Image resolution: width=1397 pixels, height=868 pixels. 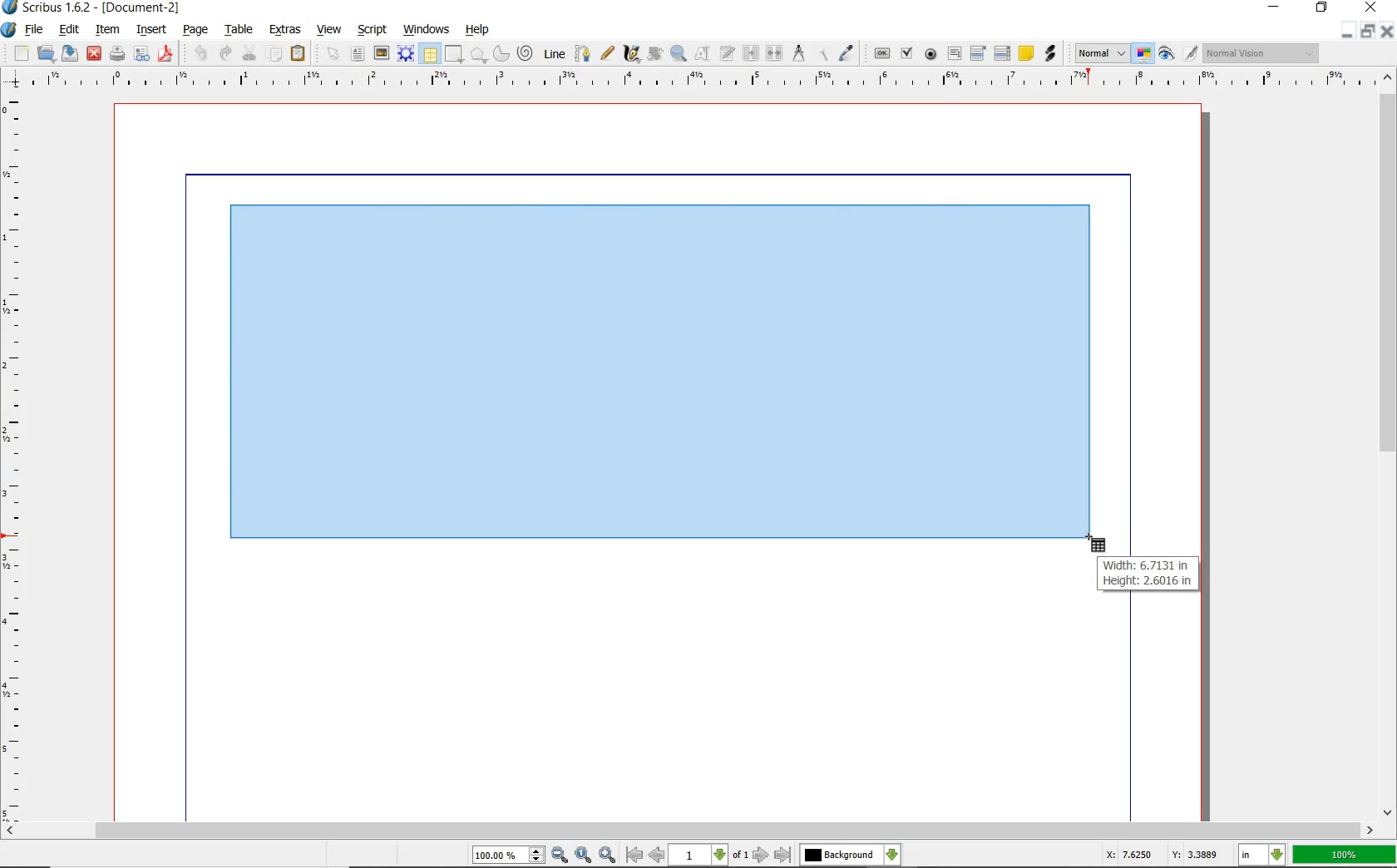 I want to click on link annotation, so click(x=1054, y=54).